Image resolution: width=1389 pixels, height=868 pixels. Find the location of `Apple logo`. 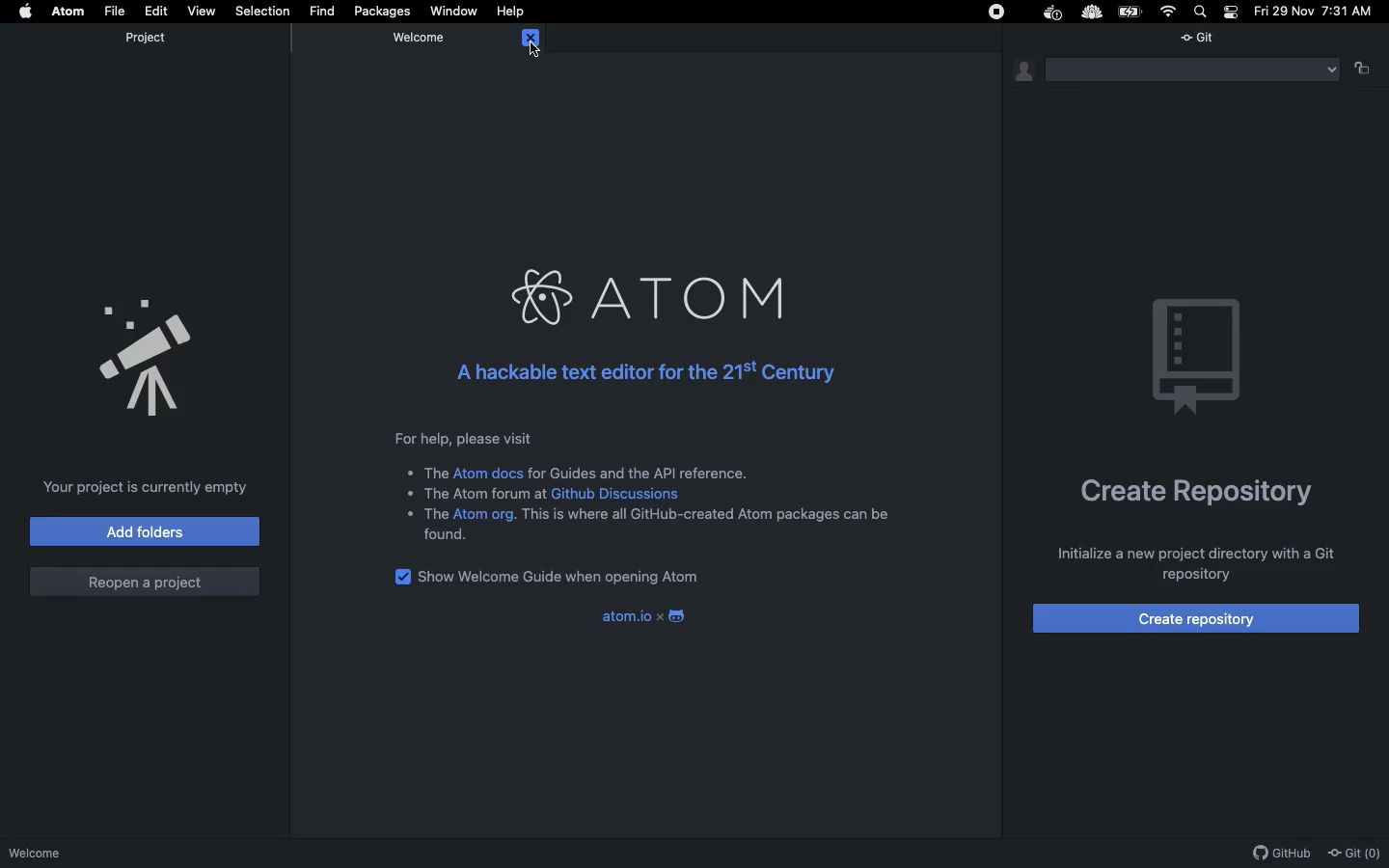

Apple logo is located at coordinates (30, 12).